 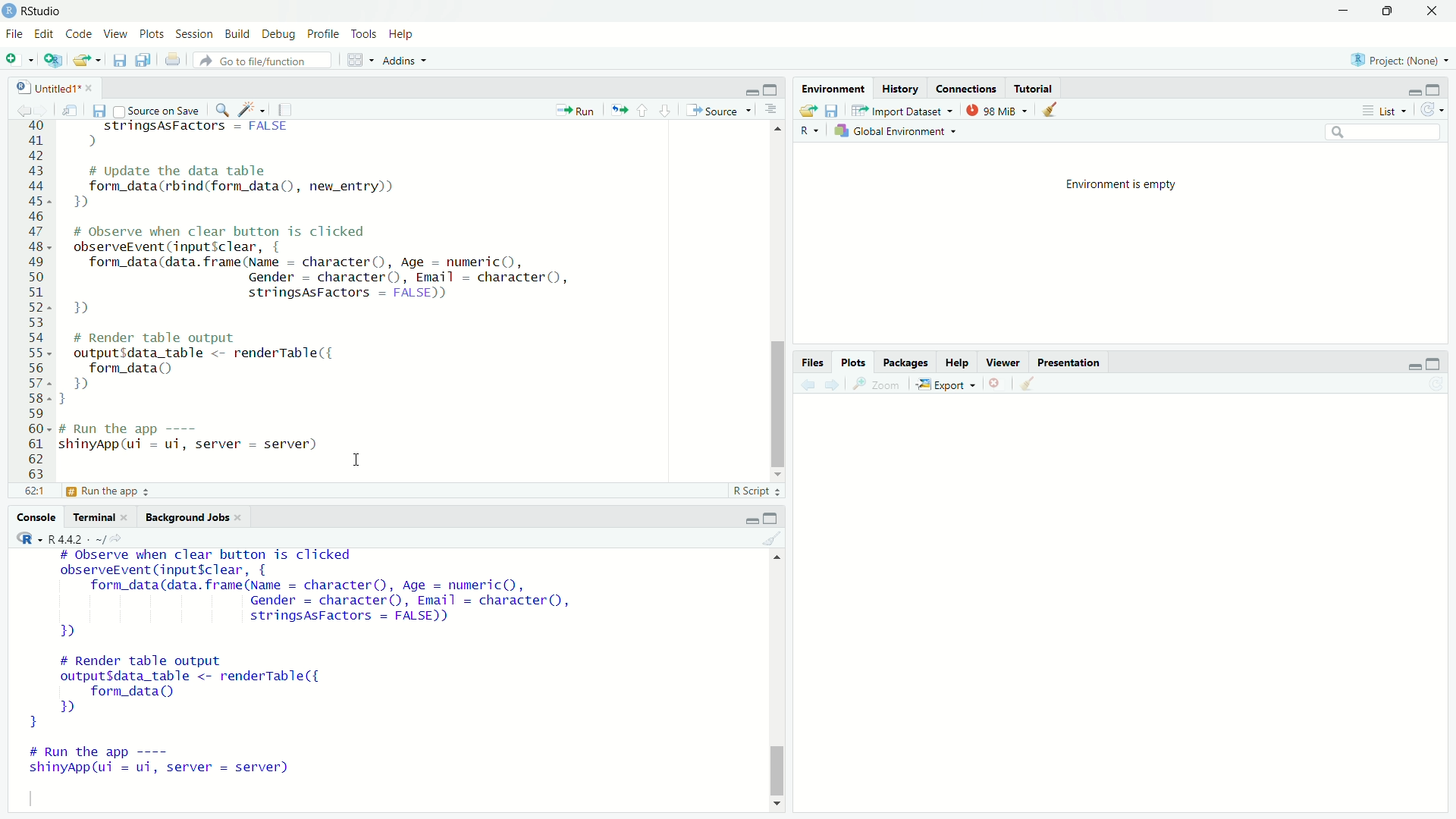 What do you see at coordinates (241, 188) in the screenshot?
I see `code to update the data table` at bounding box center [241, 188].